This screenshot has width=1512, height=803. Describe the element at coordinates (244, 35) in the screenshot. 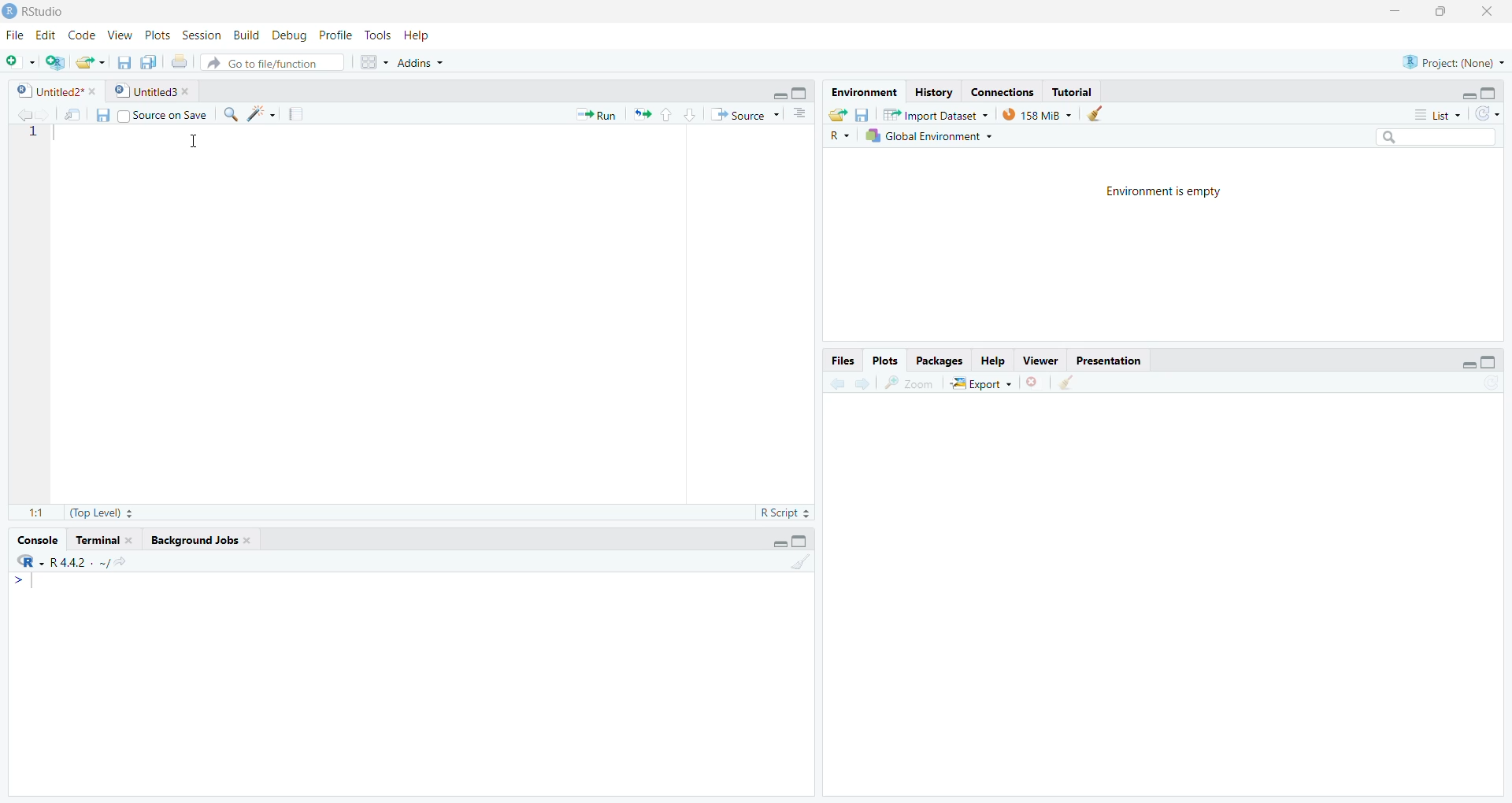

I see `Build` at that location.